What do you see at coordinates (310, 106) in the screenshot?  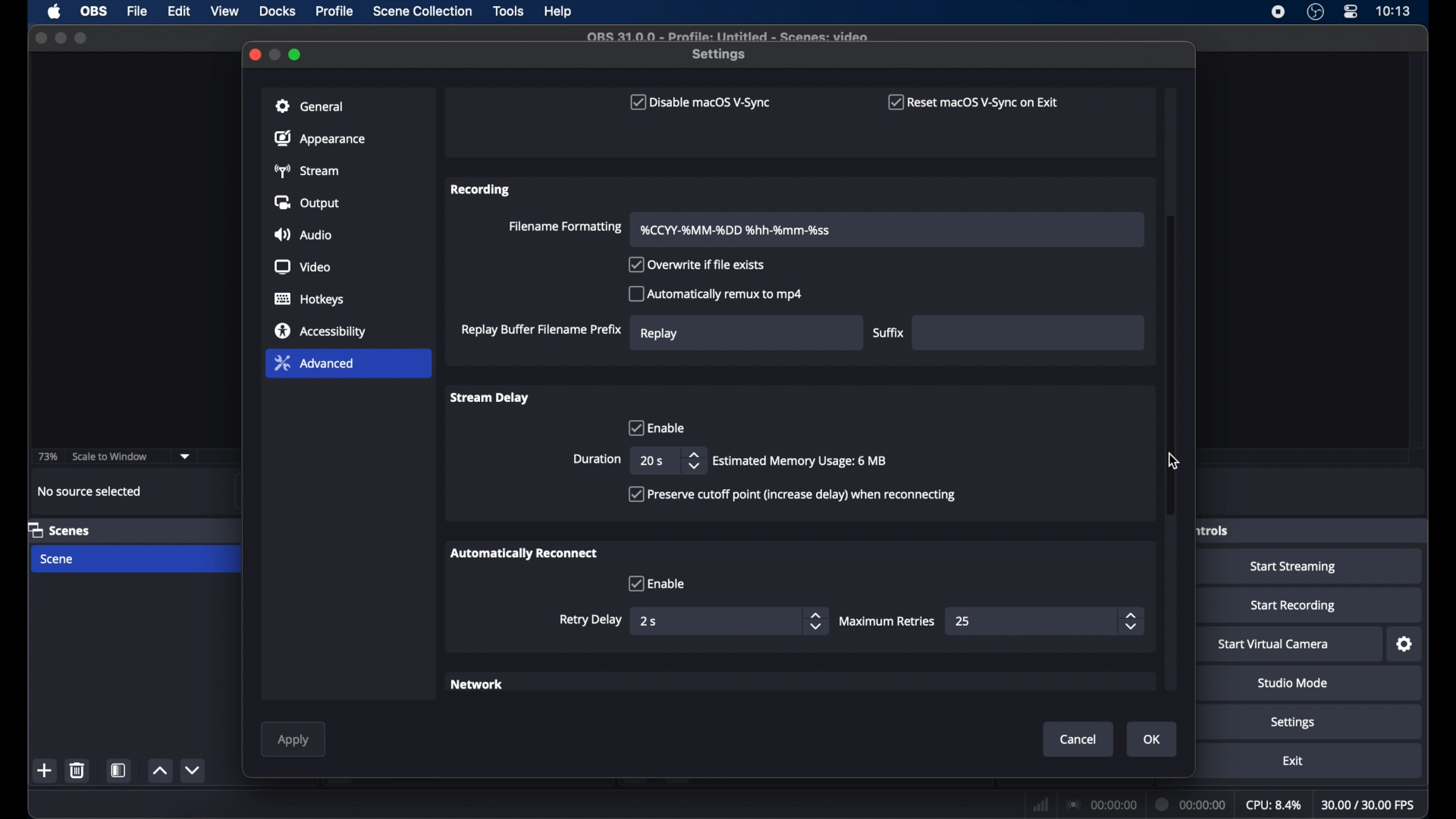 I see `general` at bounding box center [310, 106].